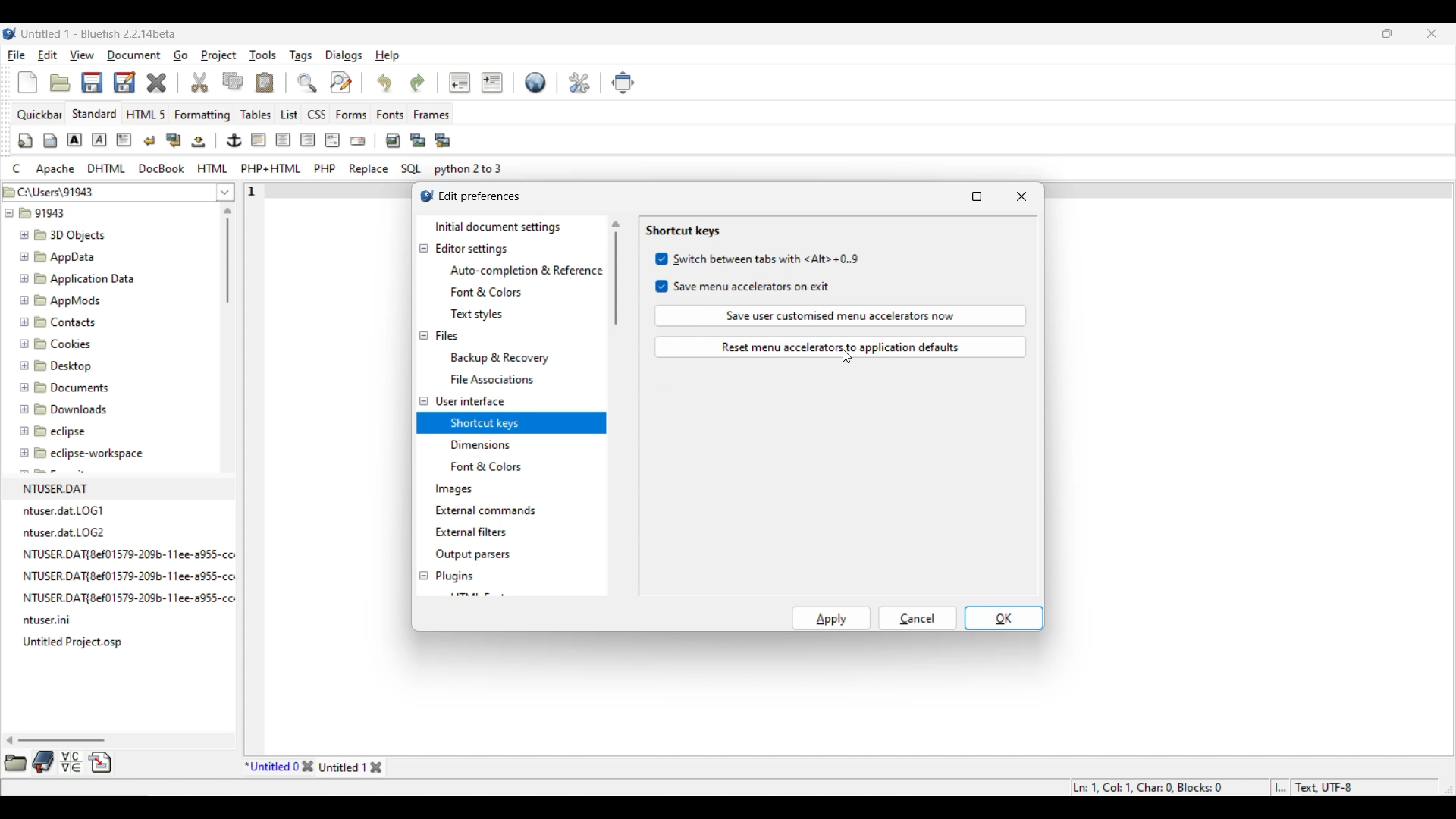 This screenshot has height=819, width=1456. Describe the element at coordinates (388, 56) in the screenshot. I see `Help menu` at that location.